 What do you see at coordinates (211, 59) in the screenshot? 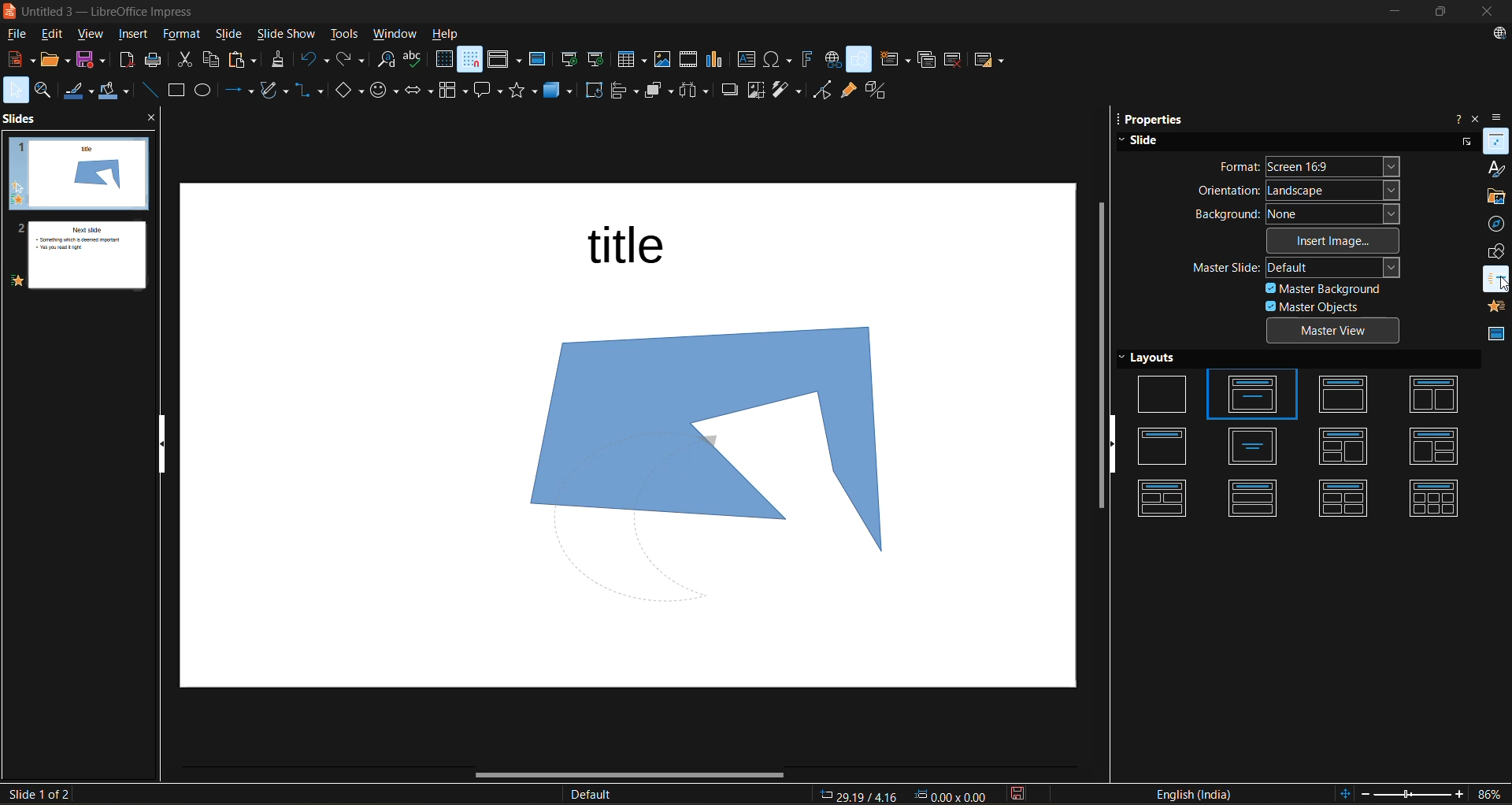
I see `copy` at bounding box center [211, 59].